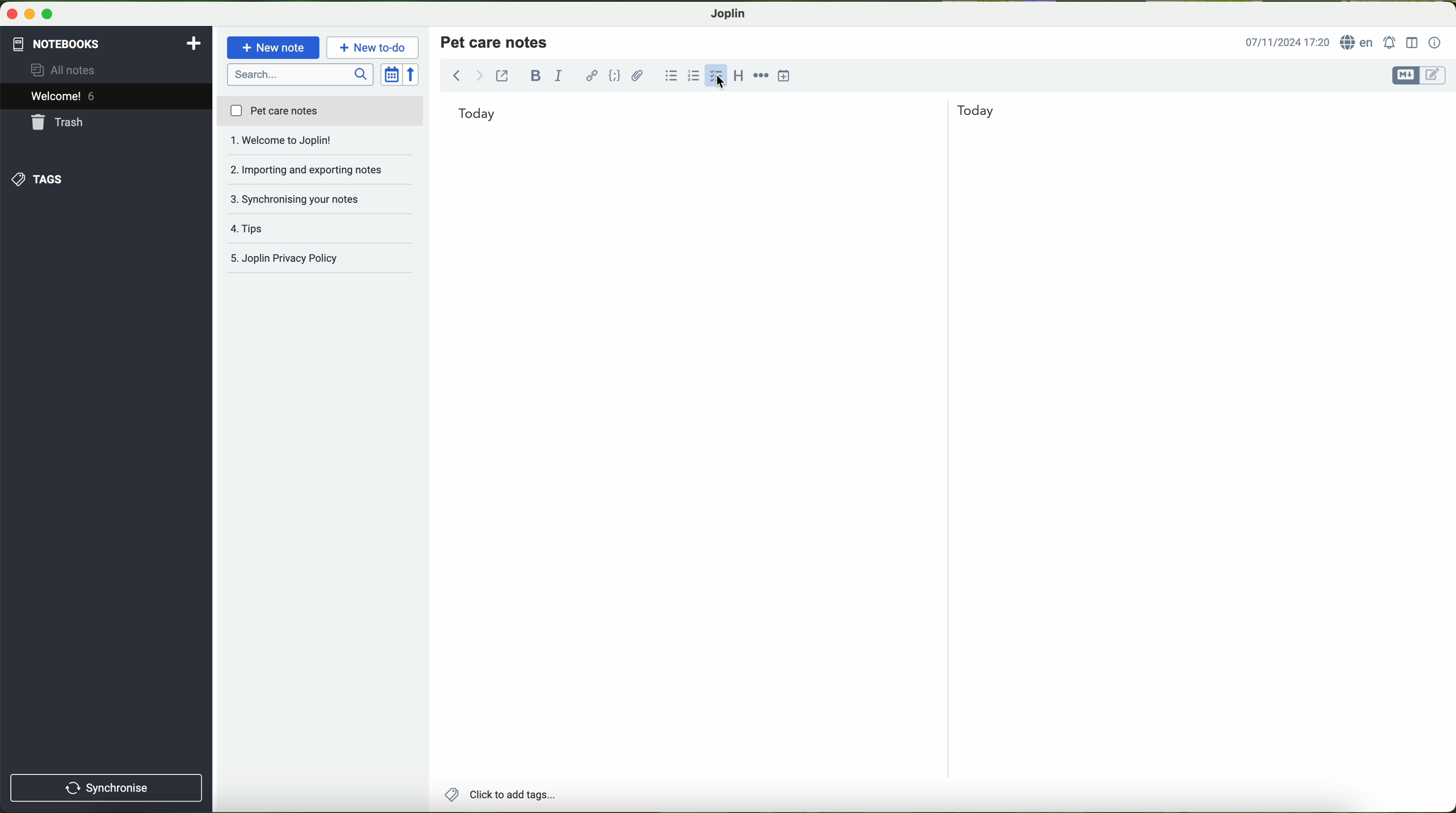  What do you see at coordinates (320, 199) in the screenshot?
I see `tips` at bounding box center [320, 199].